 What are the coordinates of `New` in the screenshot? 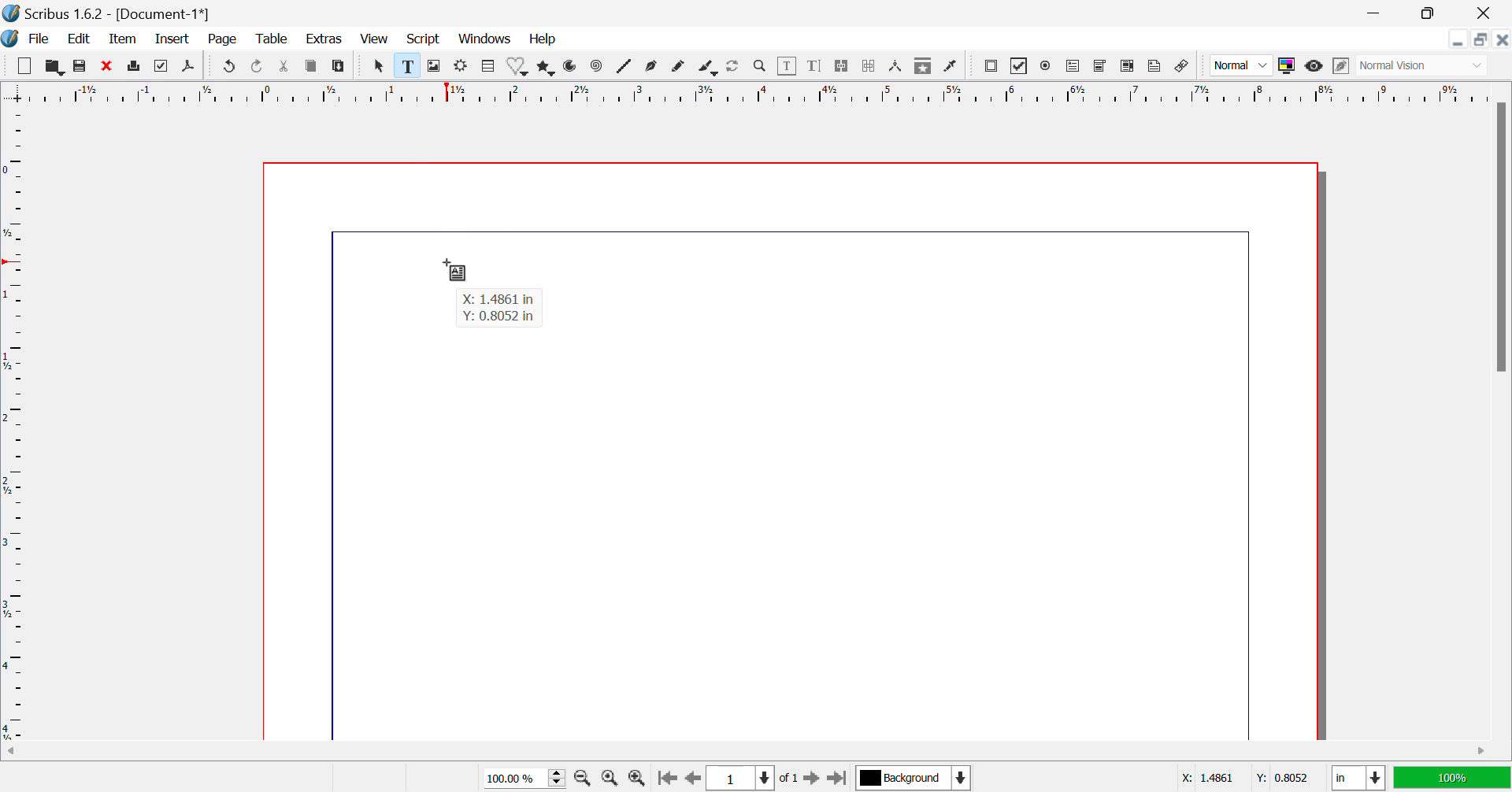 It's located at (24, 65).